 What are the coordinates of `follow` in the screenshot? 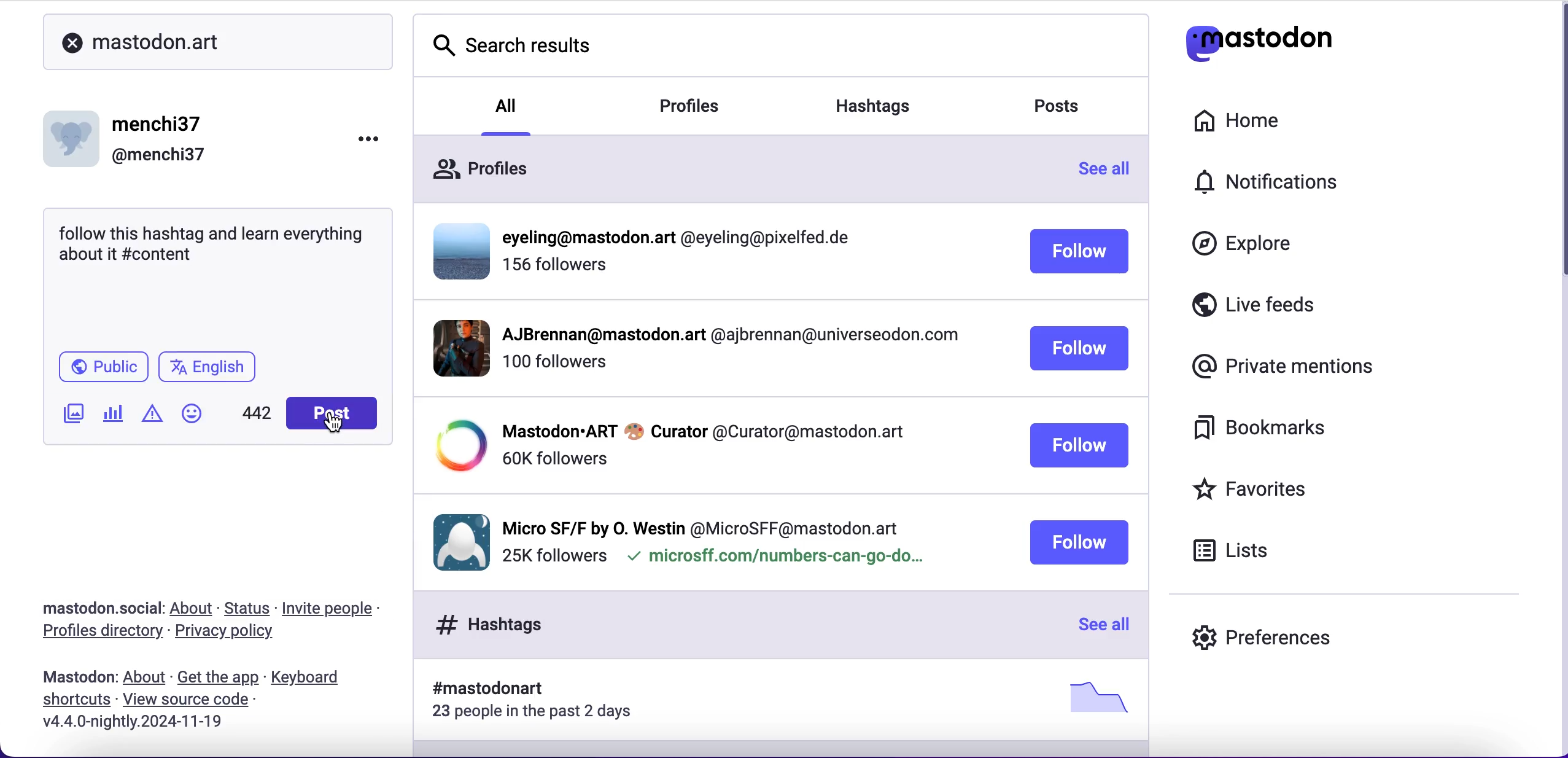 It's located at (1079, 446).